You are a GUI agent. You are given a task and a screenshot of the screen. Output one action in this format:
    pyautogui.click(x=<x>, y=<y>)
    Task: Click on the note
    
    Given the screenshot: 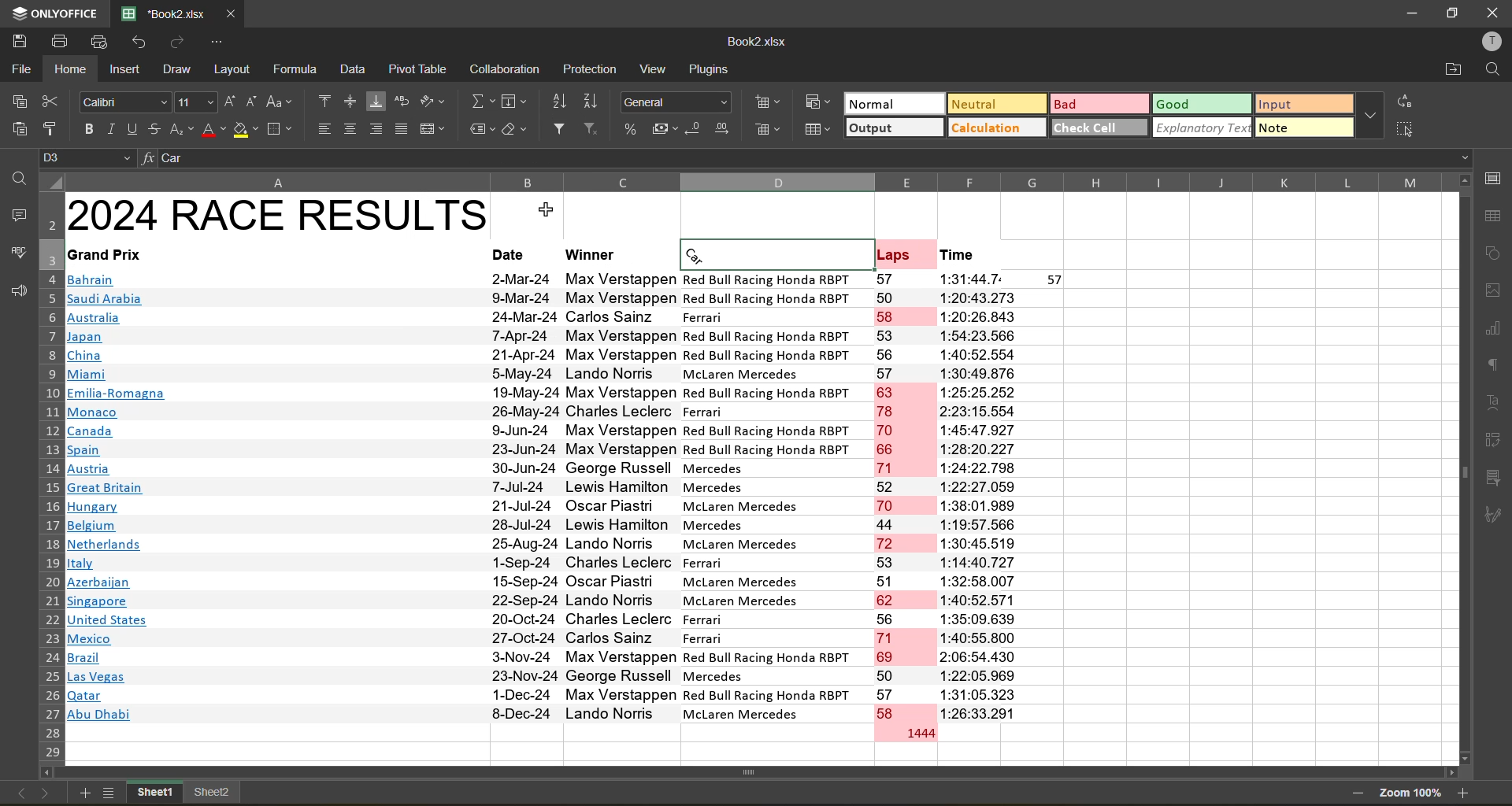 What is the action you would take?
    pyautogui.click(x=1303, y=130)
    